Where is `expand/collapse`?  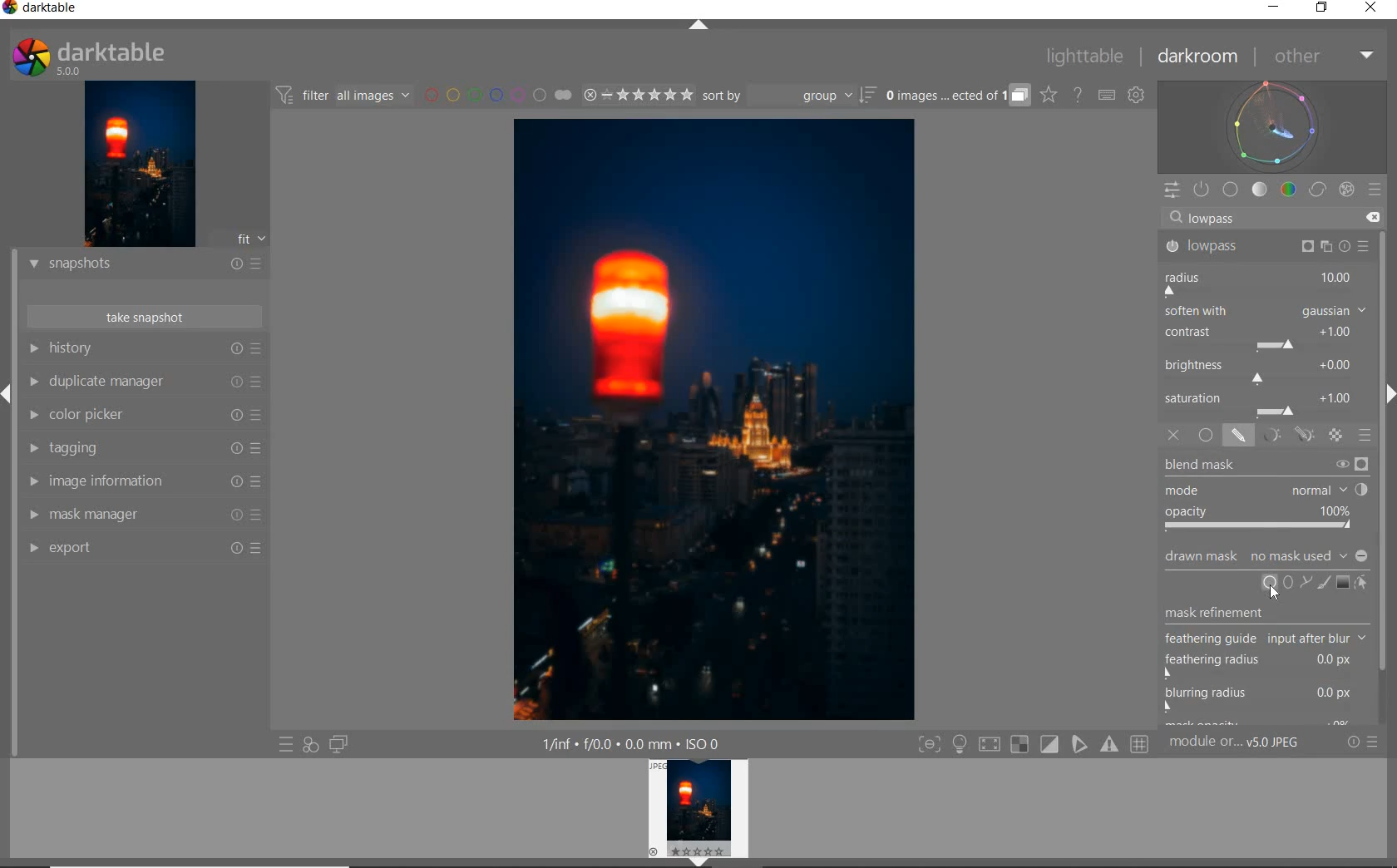 expand/collapse is located at coordinates (1387, 398).